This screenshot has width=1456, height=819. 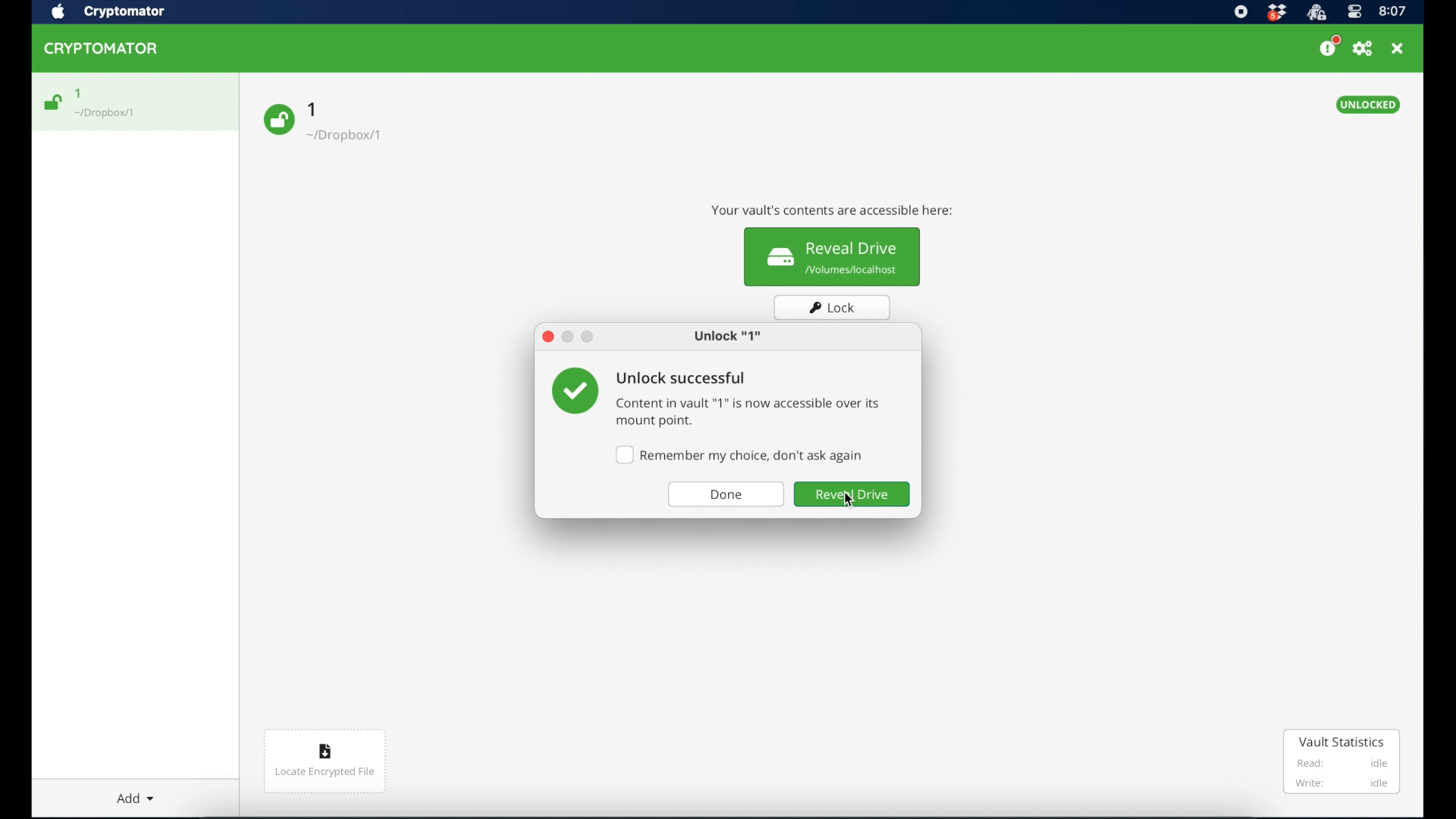 What do you see at coordinates (1398, 49) in the screenshot?
I see `close` at bounding box center [1398, 49].